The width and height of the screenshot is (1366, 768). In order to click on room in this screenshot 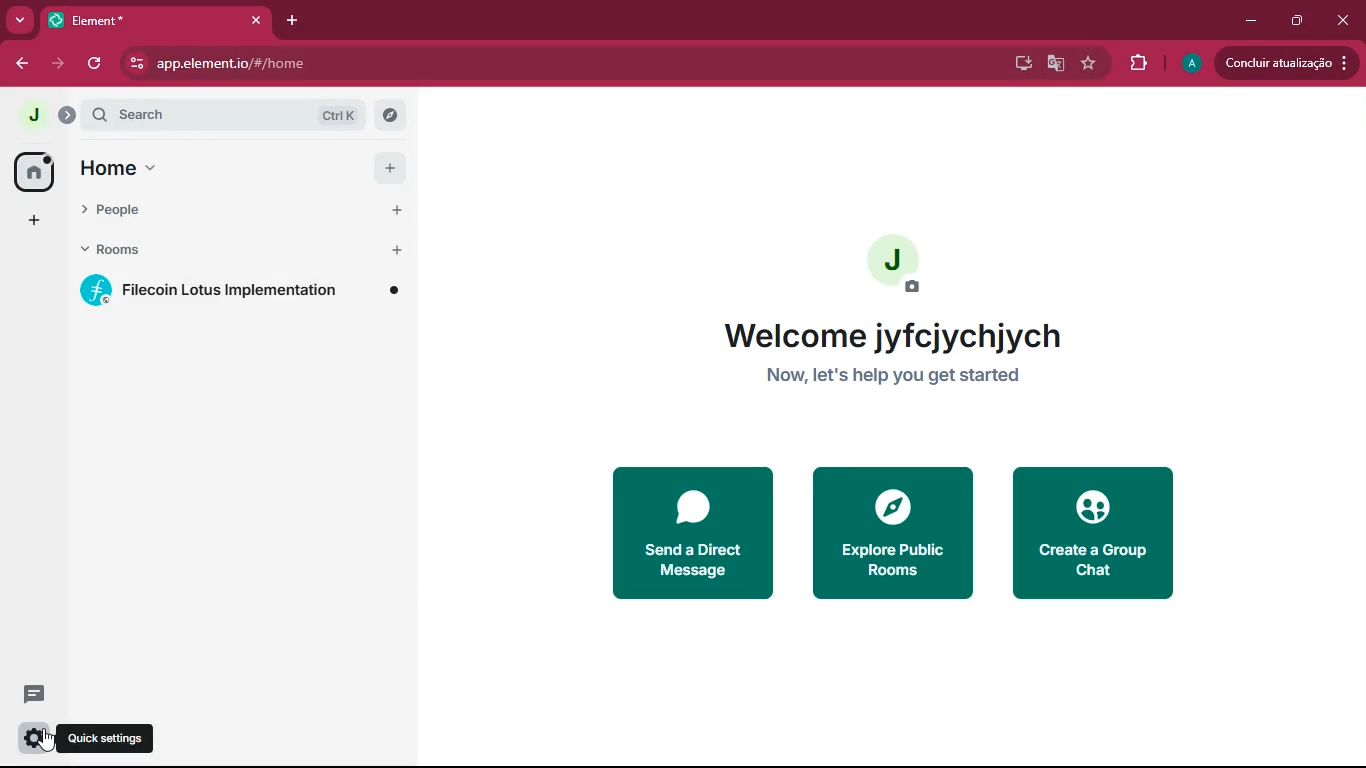, I will do `click(244, 292)`.